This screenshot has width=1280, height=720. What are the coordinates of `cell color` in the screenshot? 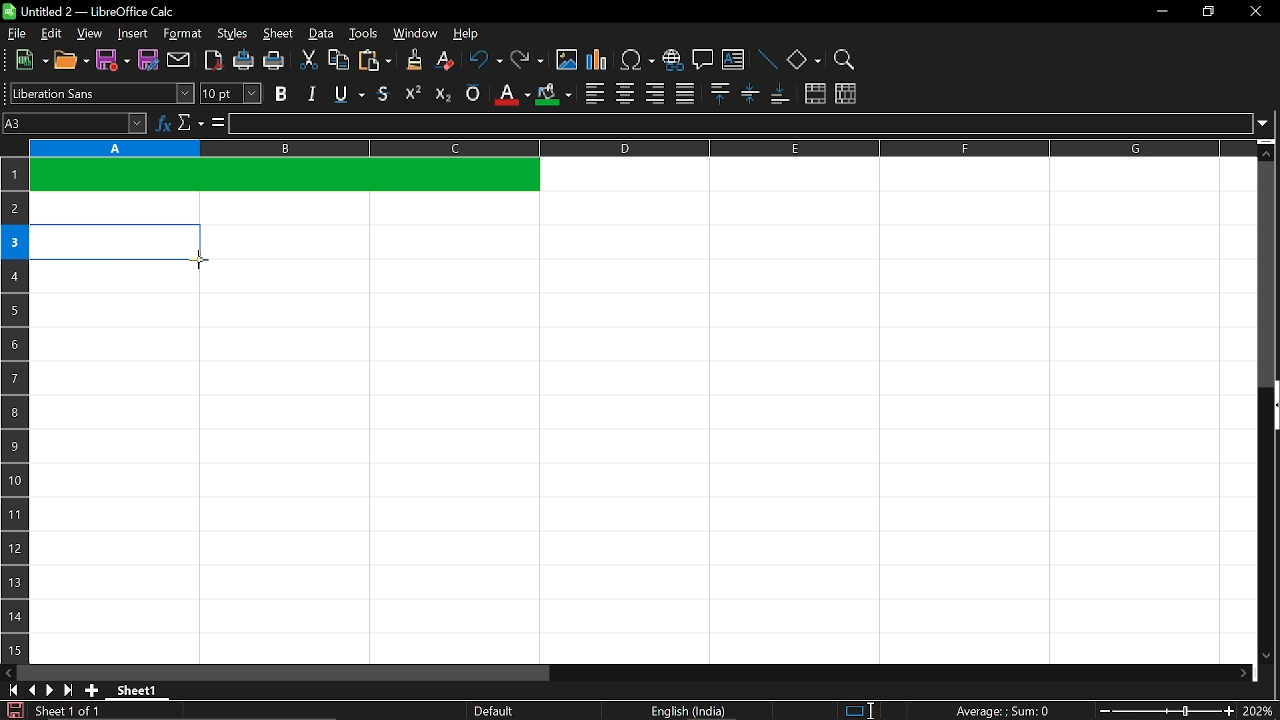 It's located at (553, 95).